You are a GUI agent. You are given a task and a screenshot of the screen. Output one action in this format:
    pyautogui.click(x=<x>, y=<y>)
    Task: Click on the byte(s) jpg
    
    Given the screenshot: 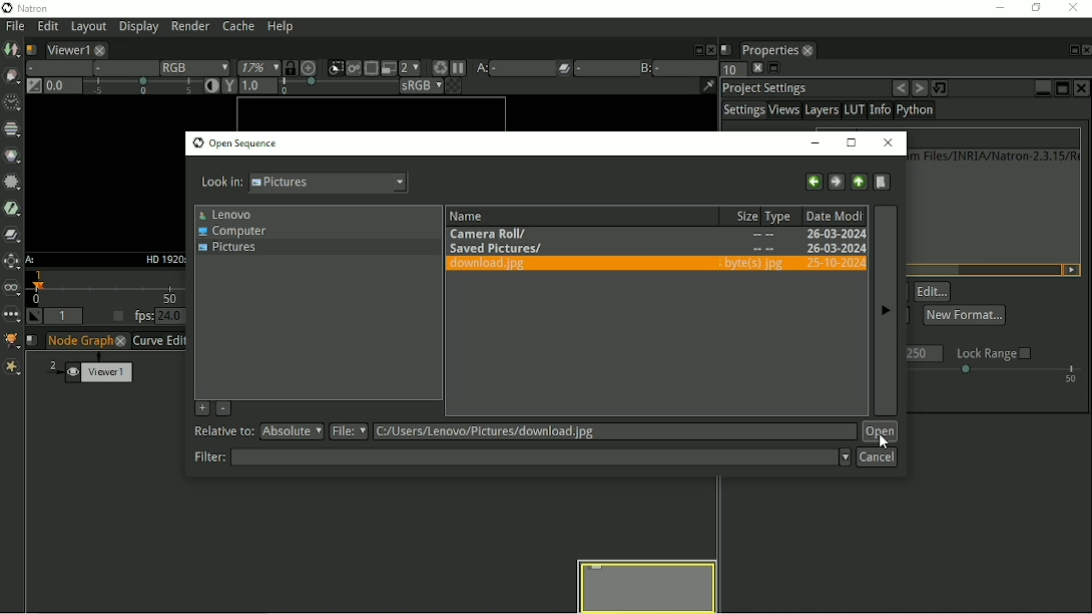 What is the action you would take?
    pyautogui.click(x=752, y=264)
    